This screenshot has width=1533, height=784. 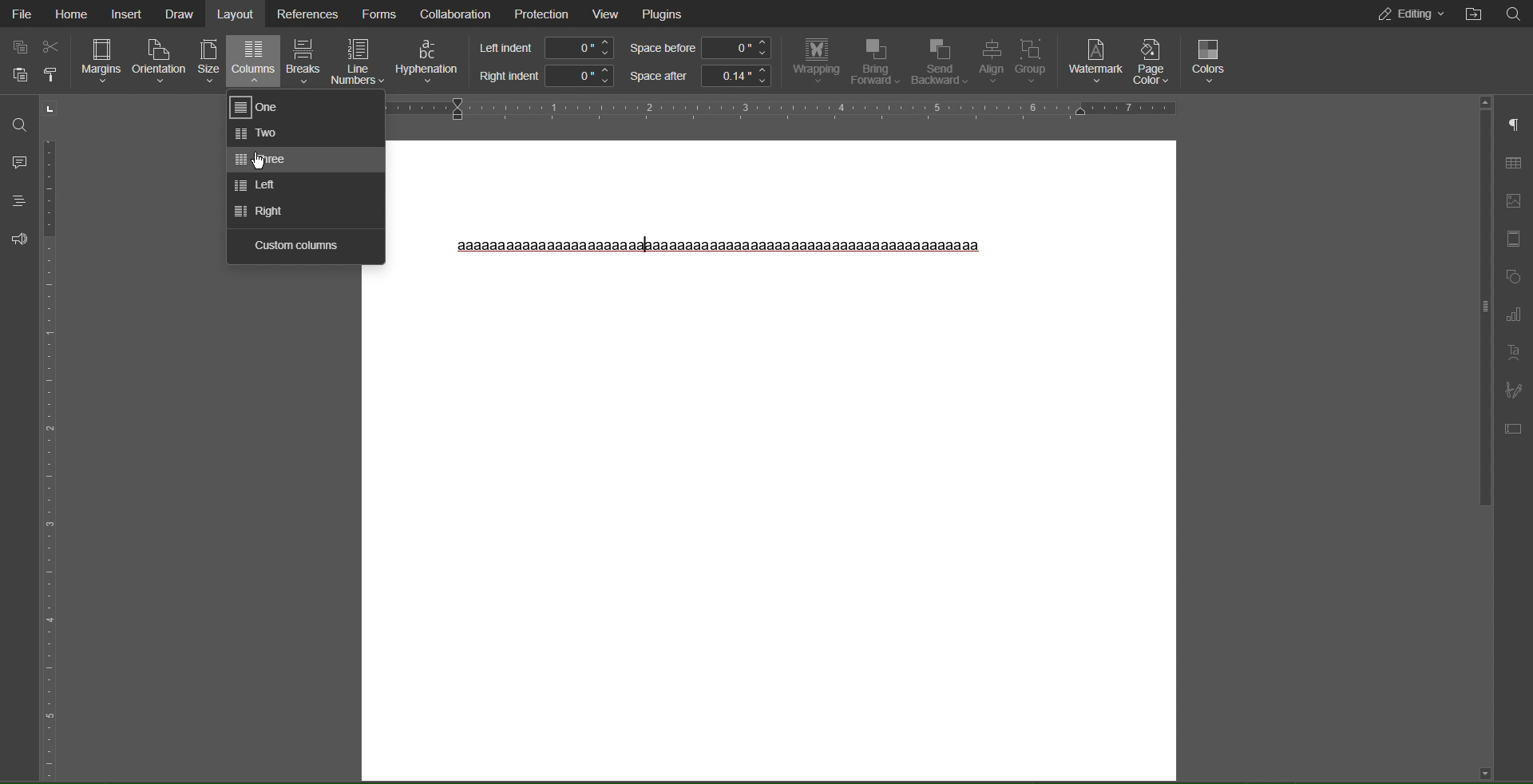 What do you see at coordinates (125, 14) in the screenshot?
I see `Insert` at bounding box center [125, 14].